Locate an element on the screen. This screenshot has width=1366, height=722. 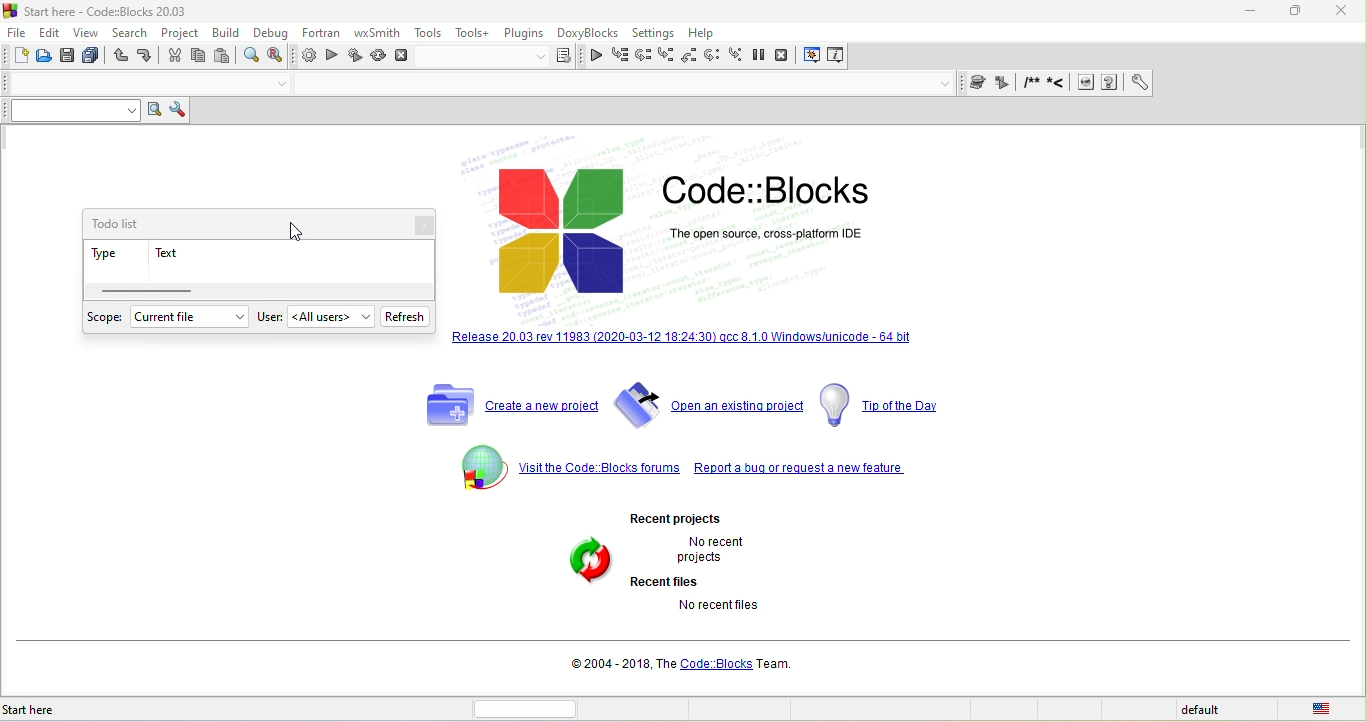
recent project and recent files is located at coordinates (590, 578).